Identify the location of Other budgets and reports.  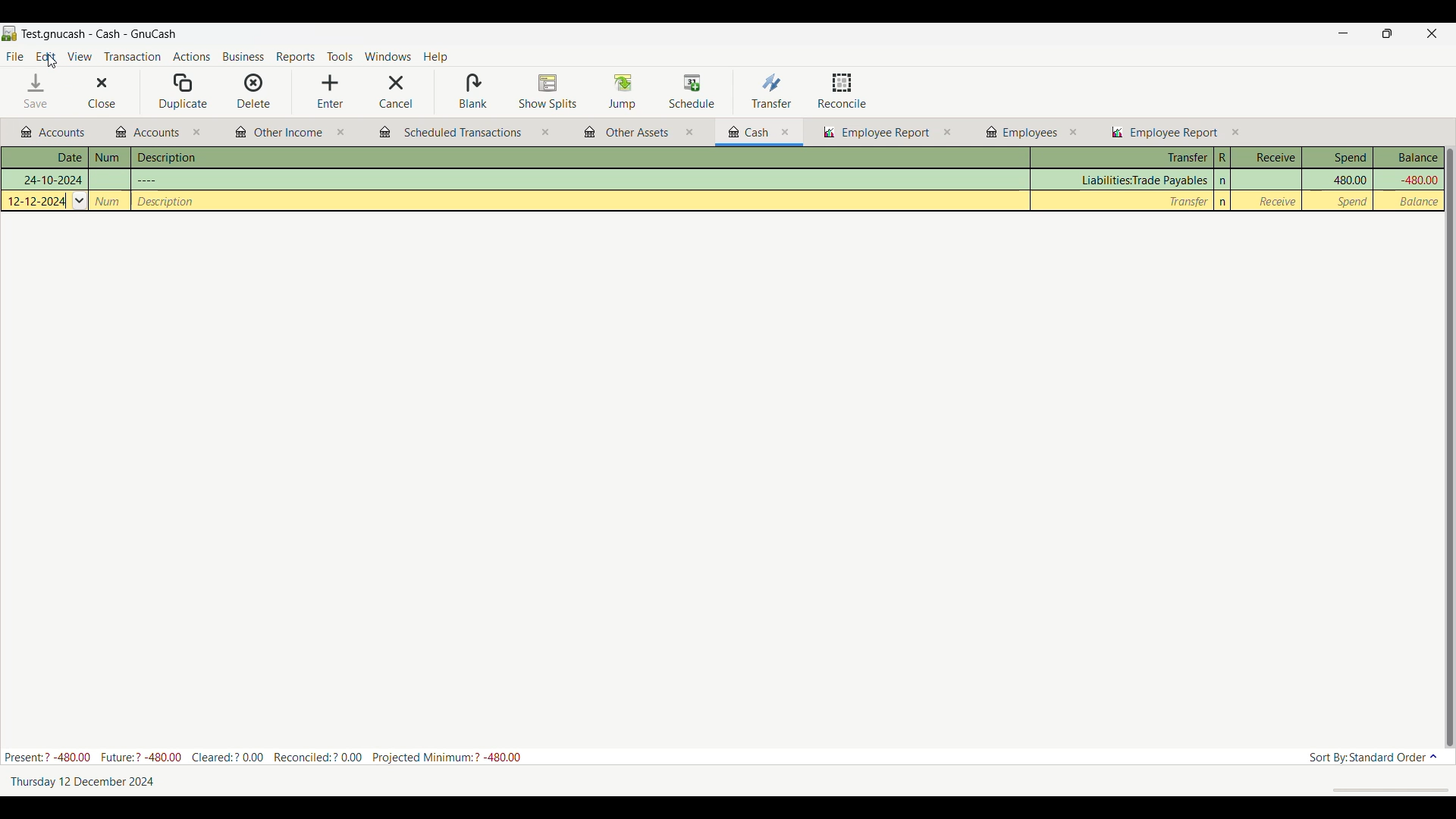
(148, 132).